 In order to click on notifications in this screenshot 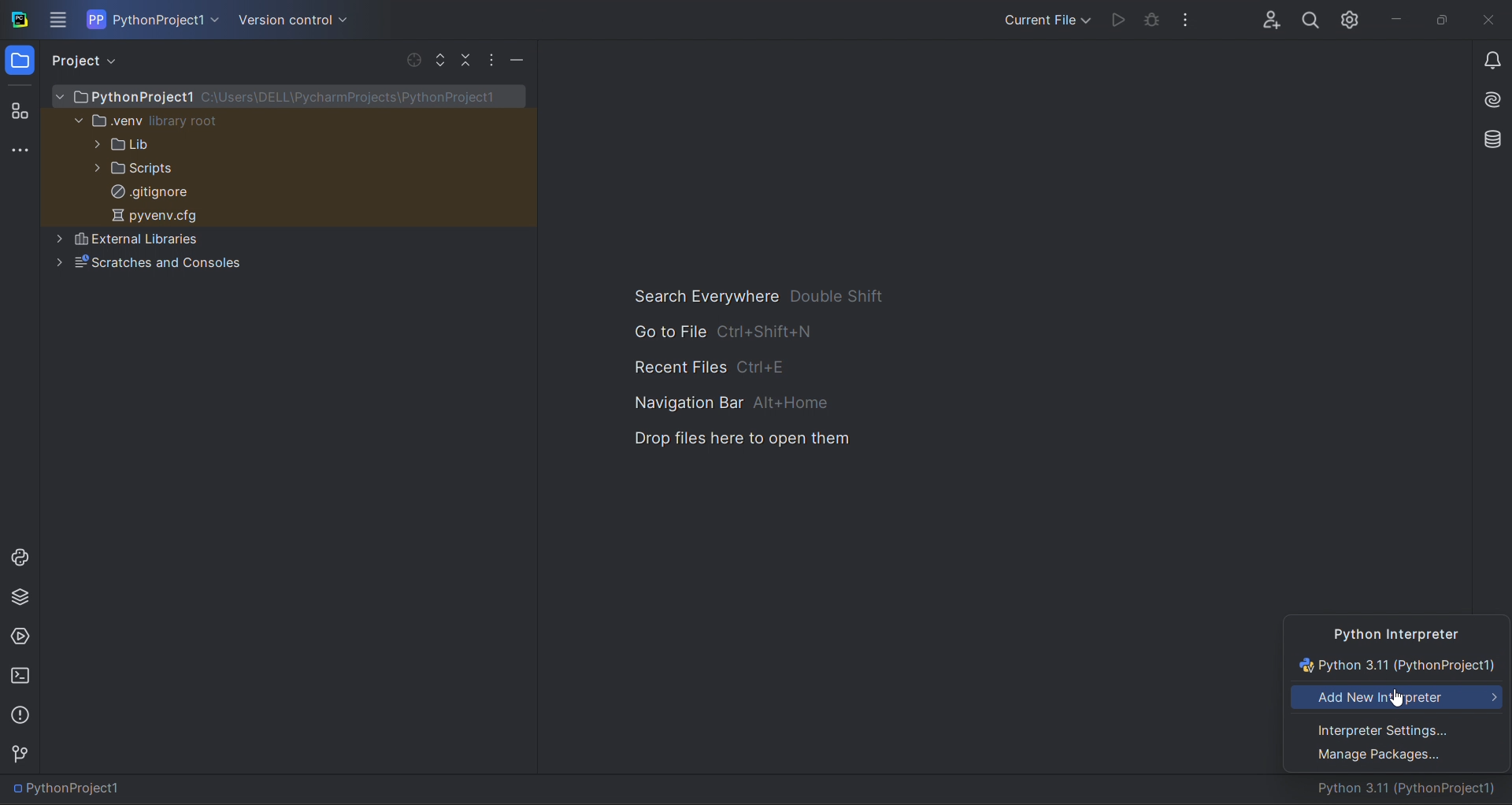, I will do `click(1492, 63)`.